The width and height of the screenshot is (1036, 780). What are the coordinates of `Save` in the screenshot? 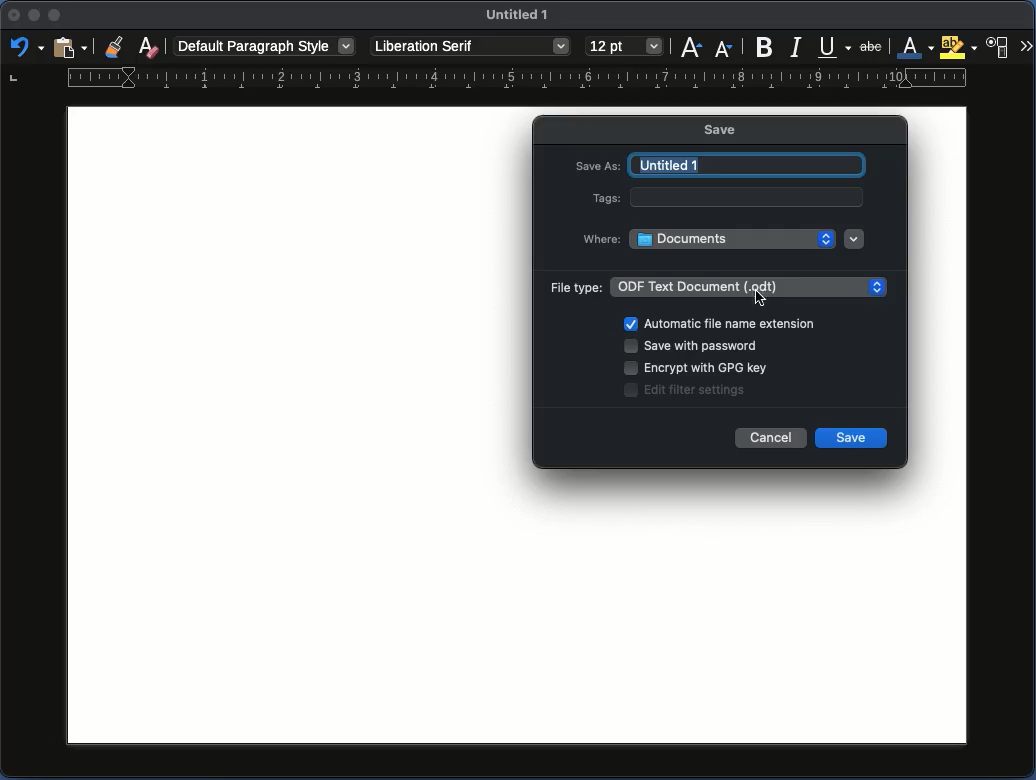 It's located at (730, 130).